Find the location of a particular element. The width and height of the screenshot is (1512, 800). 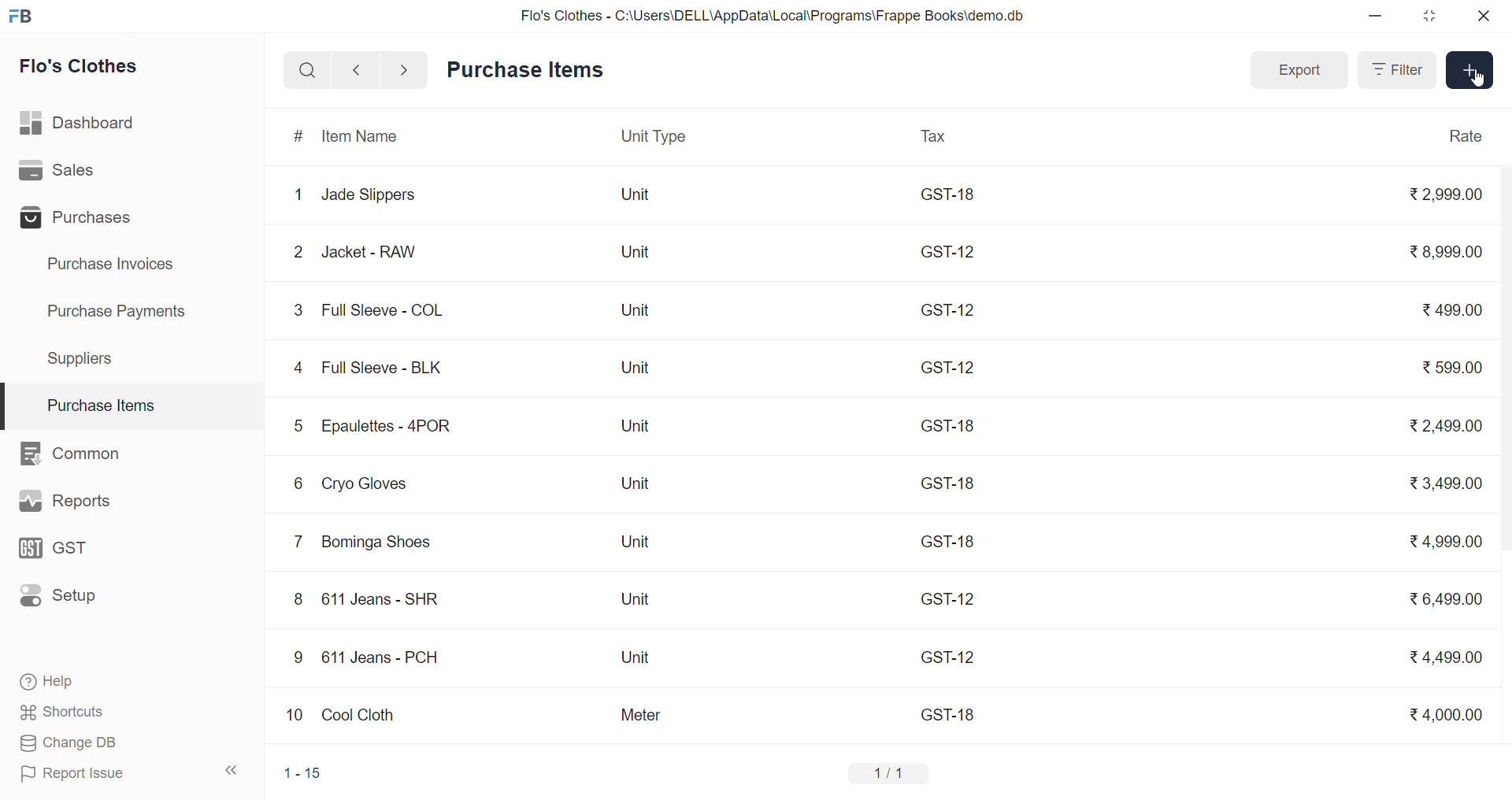

Flo's Clothes - C:\Users\DELL\AppData\Local\Programs\Frappe Books\demo.db is located at coordinates (773, 14).